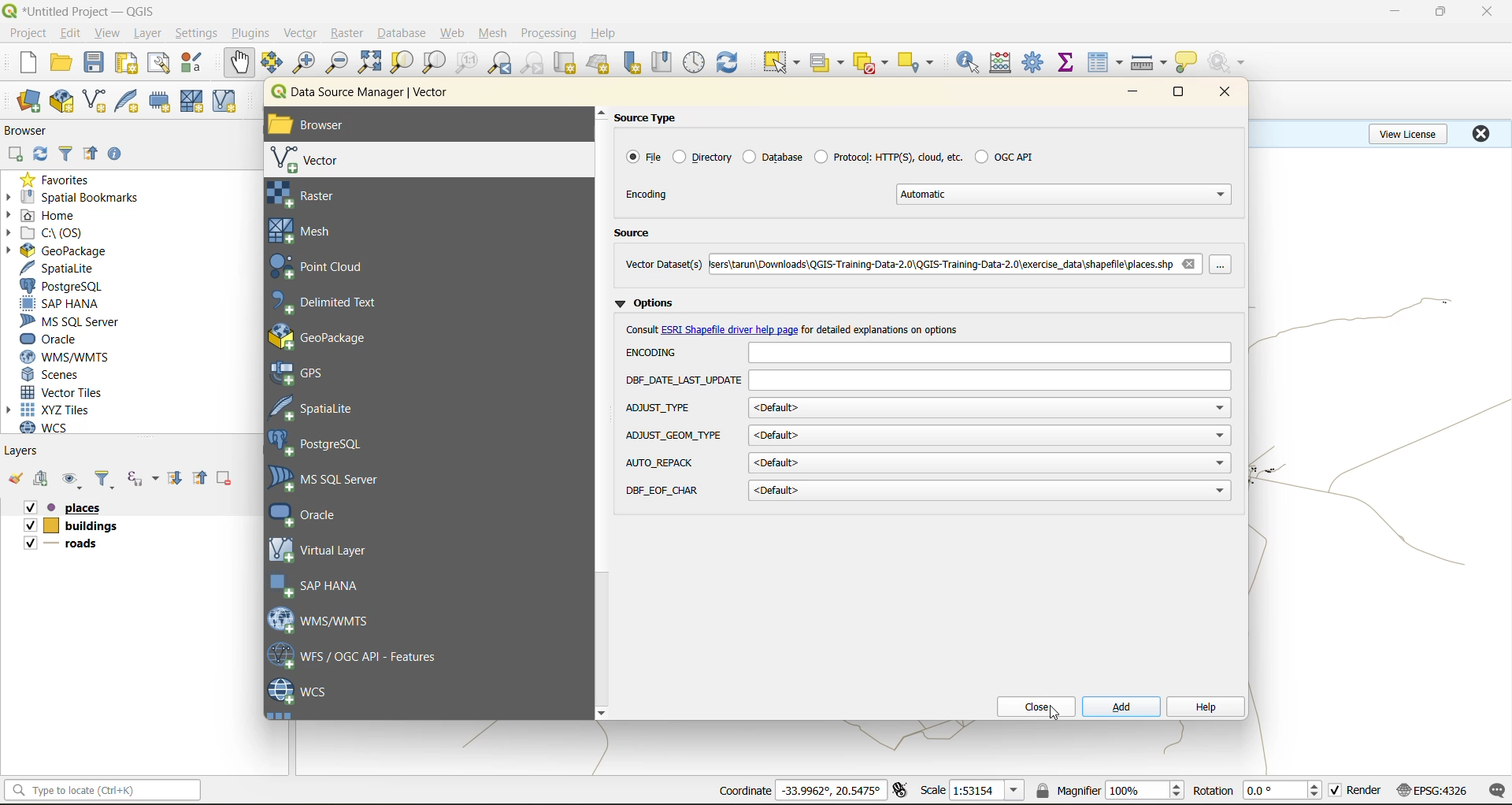 The height and width of the screenshot is (805, 1512). Describe the element at coordinates (831, 790) in the screenshot. I see `coordinates` at that location.